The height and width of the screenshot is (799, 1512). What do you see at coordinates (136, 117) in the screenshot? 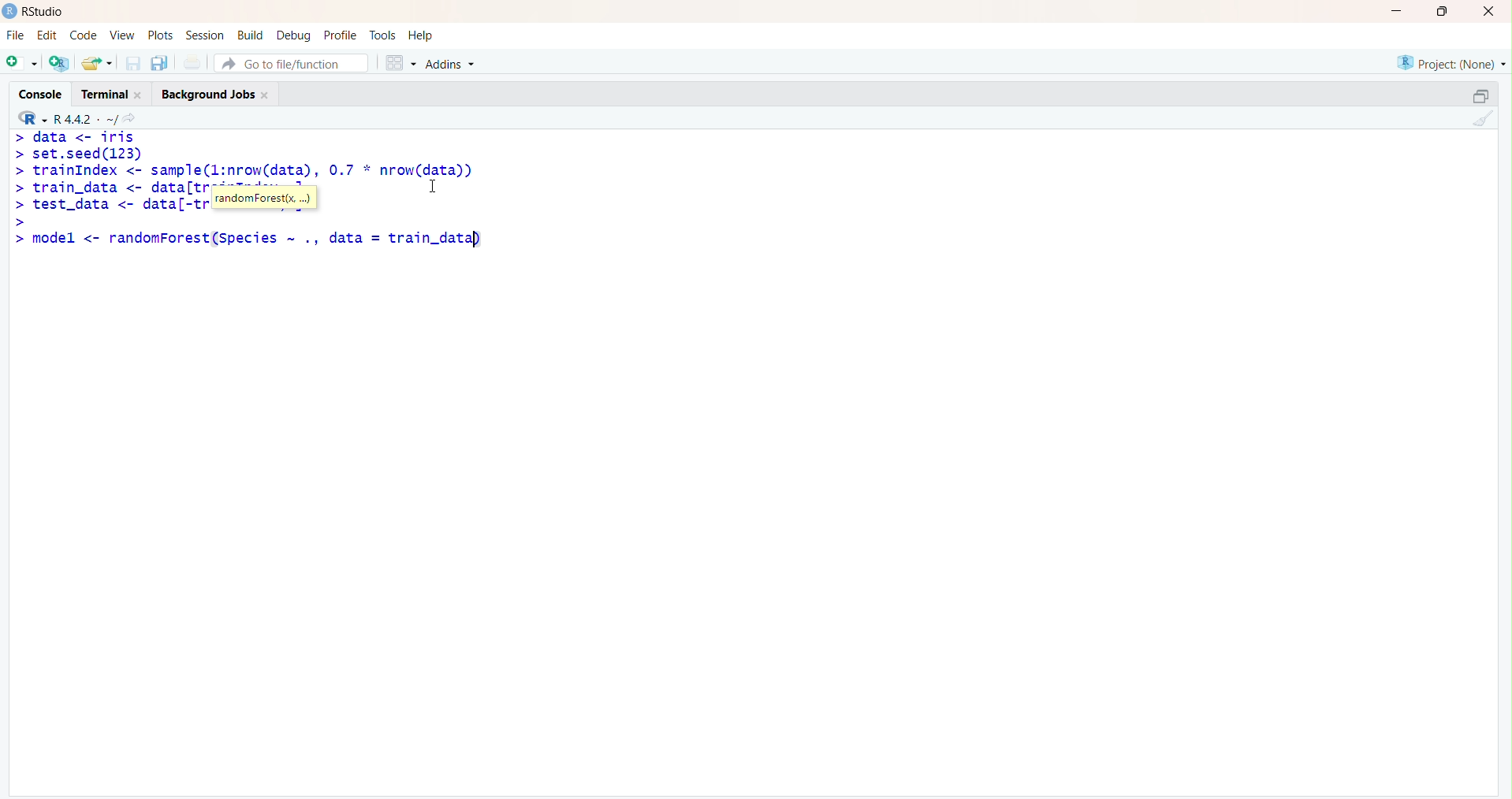
I see `View the current working directory` at bounding box center [136, 117].